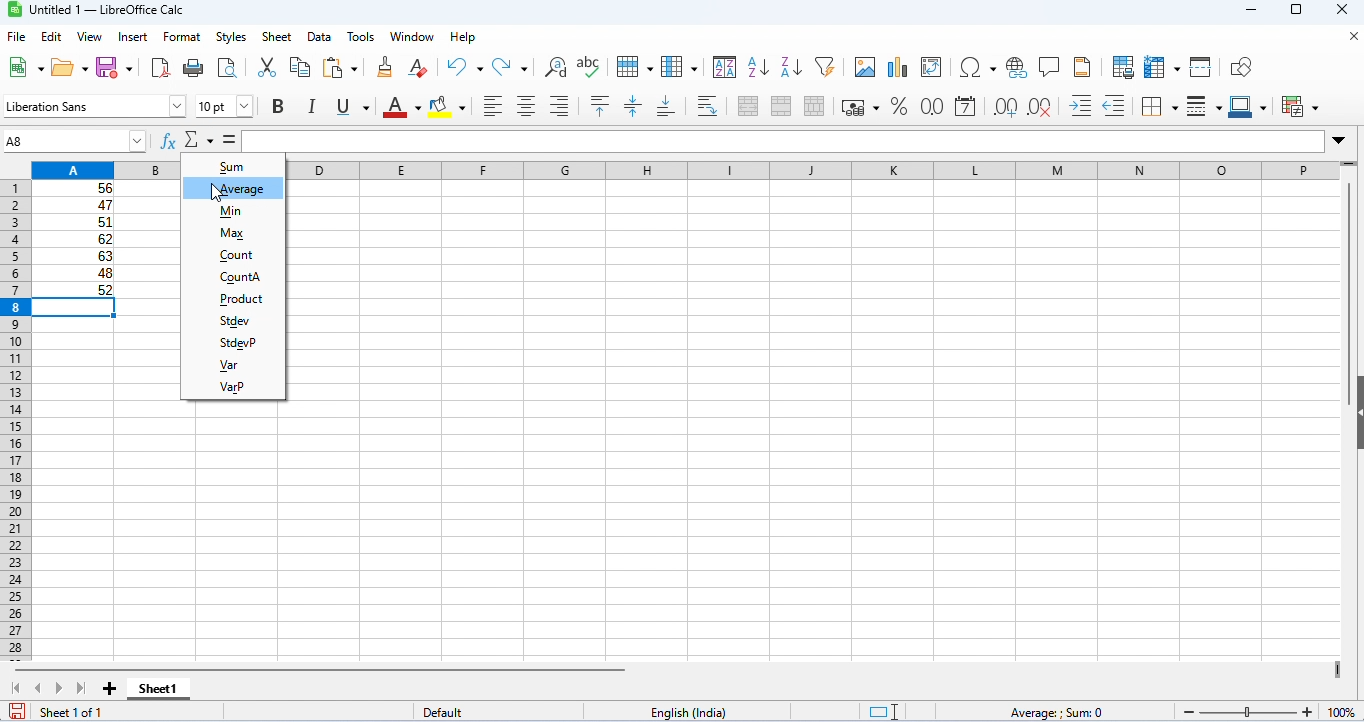 Image resolution: width=1364 pixels, height=722 pixels. I want to click on =, so click(232, 138).